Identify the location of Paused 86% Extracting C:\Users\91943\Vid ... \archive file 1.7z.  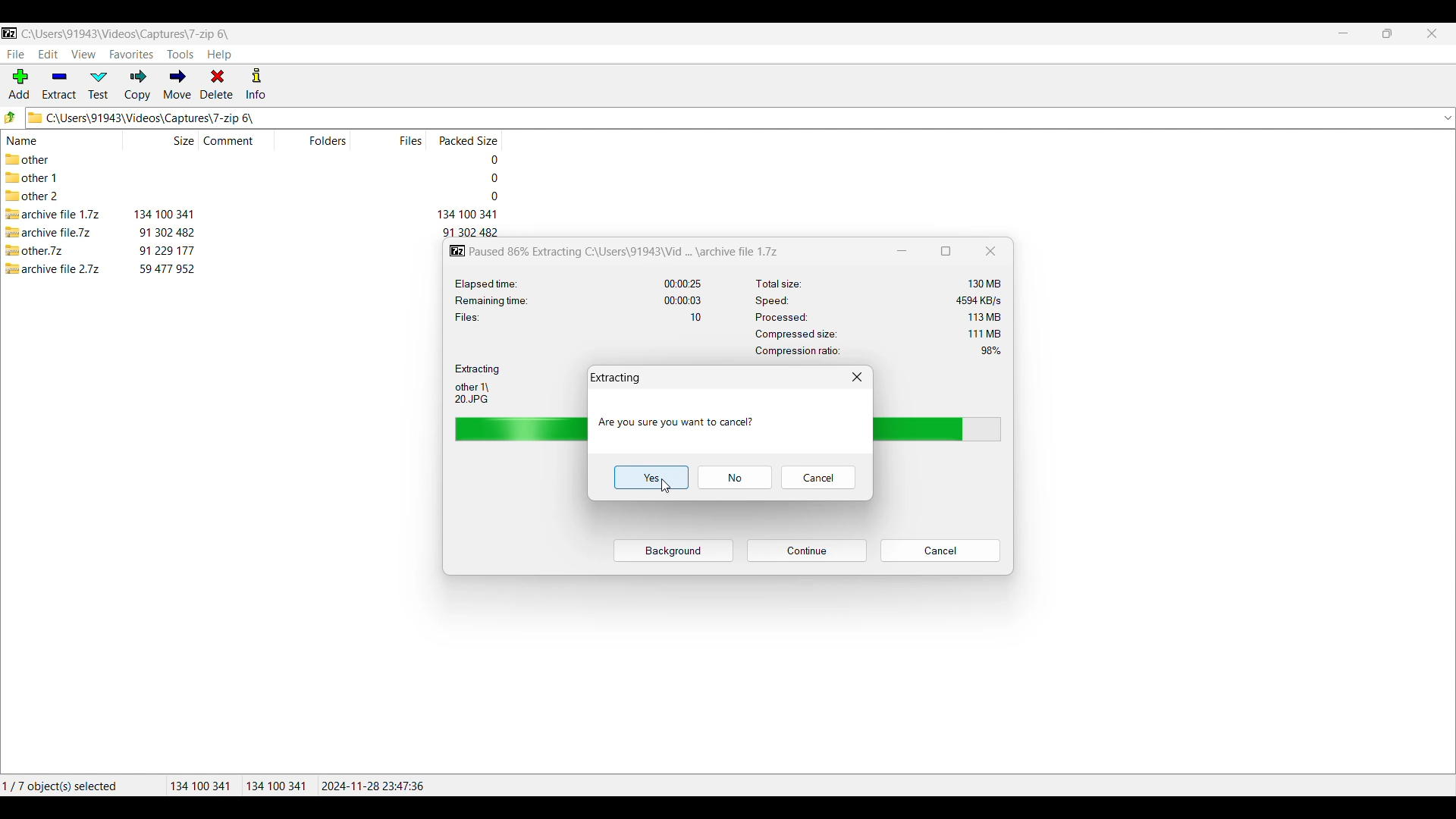
(620, 250).